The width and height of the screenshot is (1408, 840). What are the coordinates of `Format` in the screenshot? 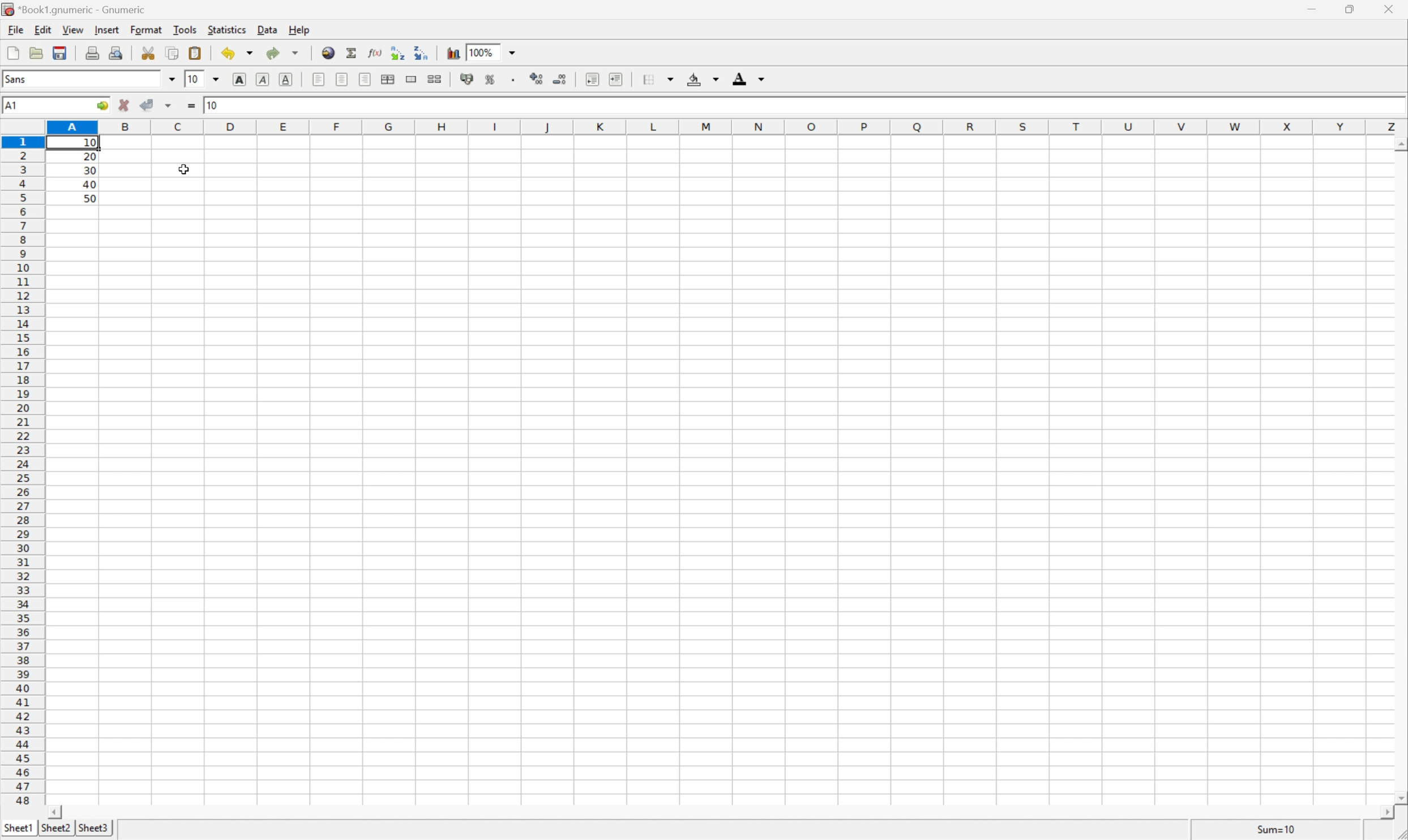 It's located at (145, 29).